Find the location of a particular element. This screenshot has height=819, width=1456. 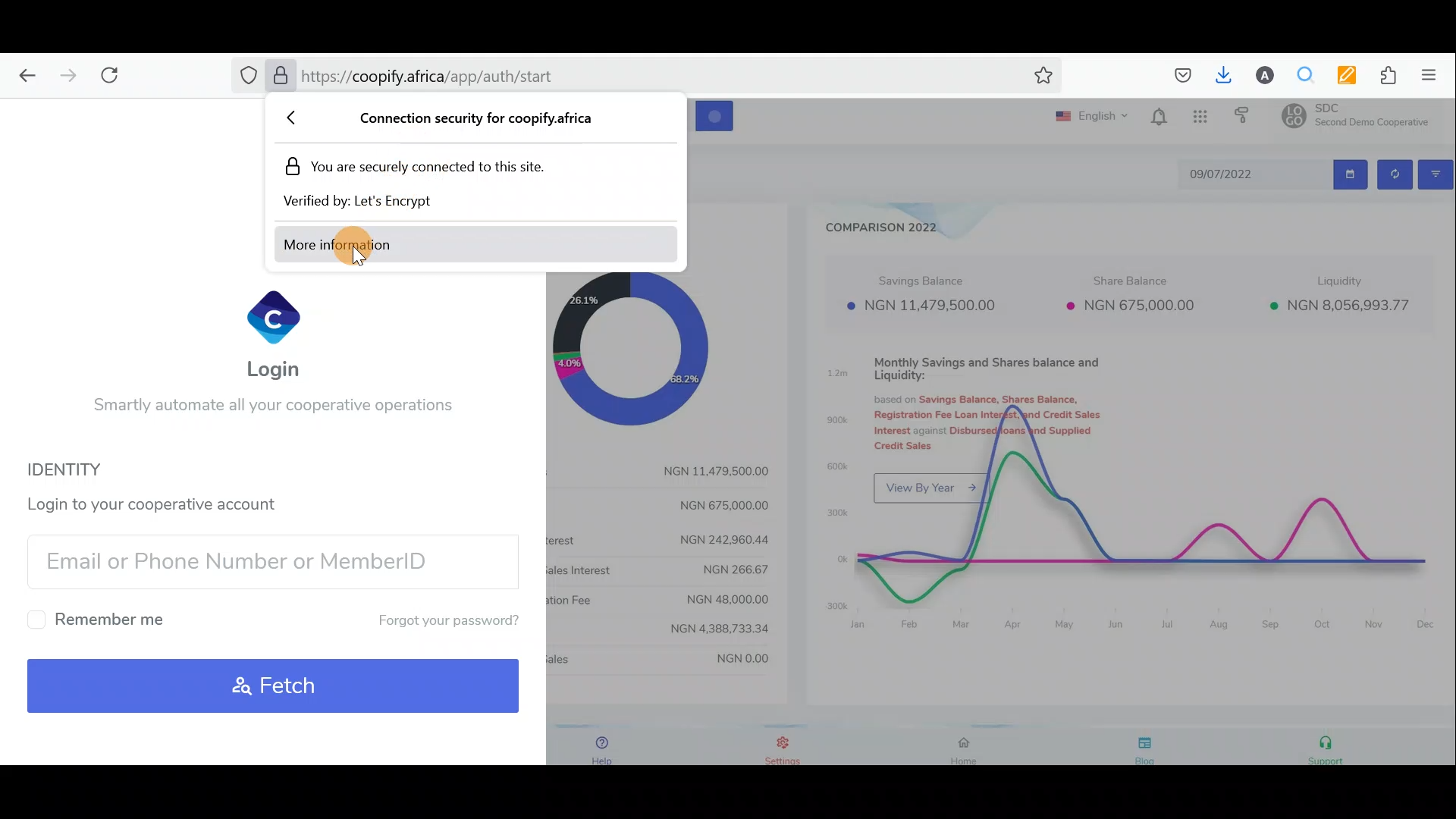

Extension is located at coordinates (1382, 76).